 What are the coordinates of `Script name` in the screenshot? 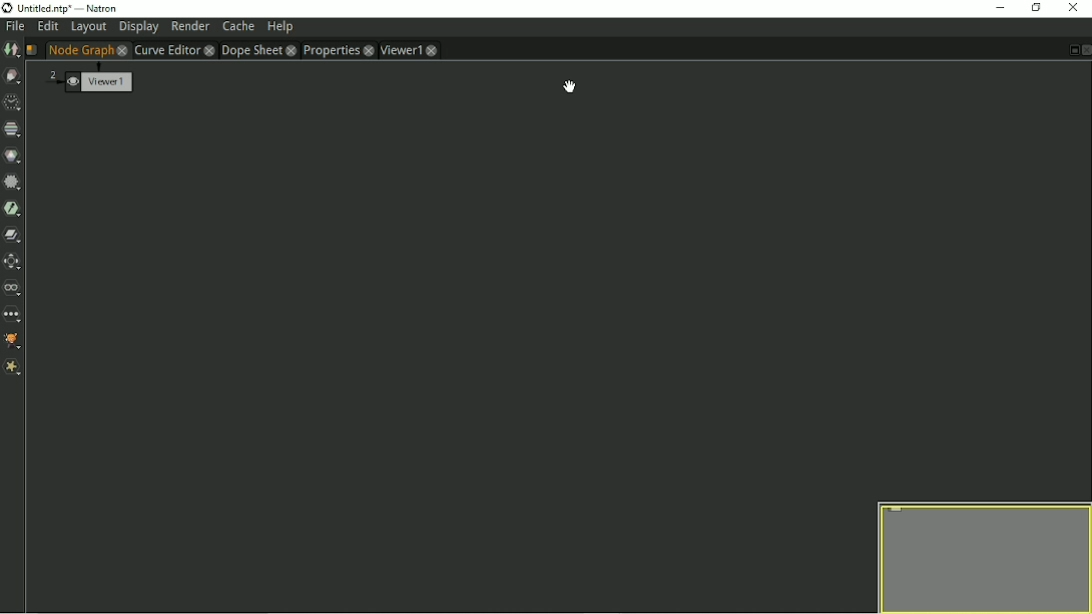 It's located at (31, 50).